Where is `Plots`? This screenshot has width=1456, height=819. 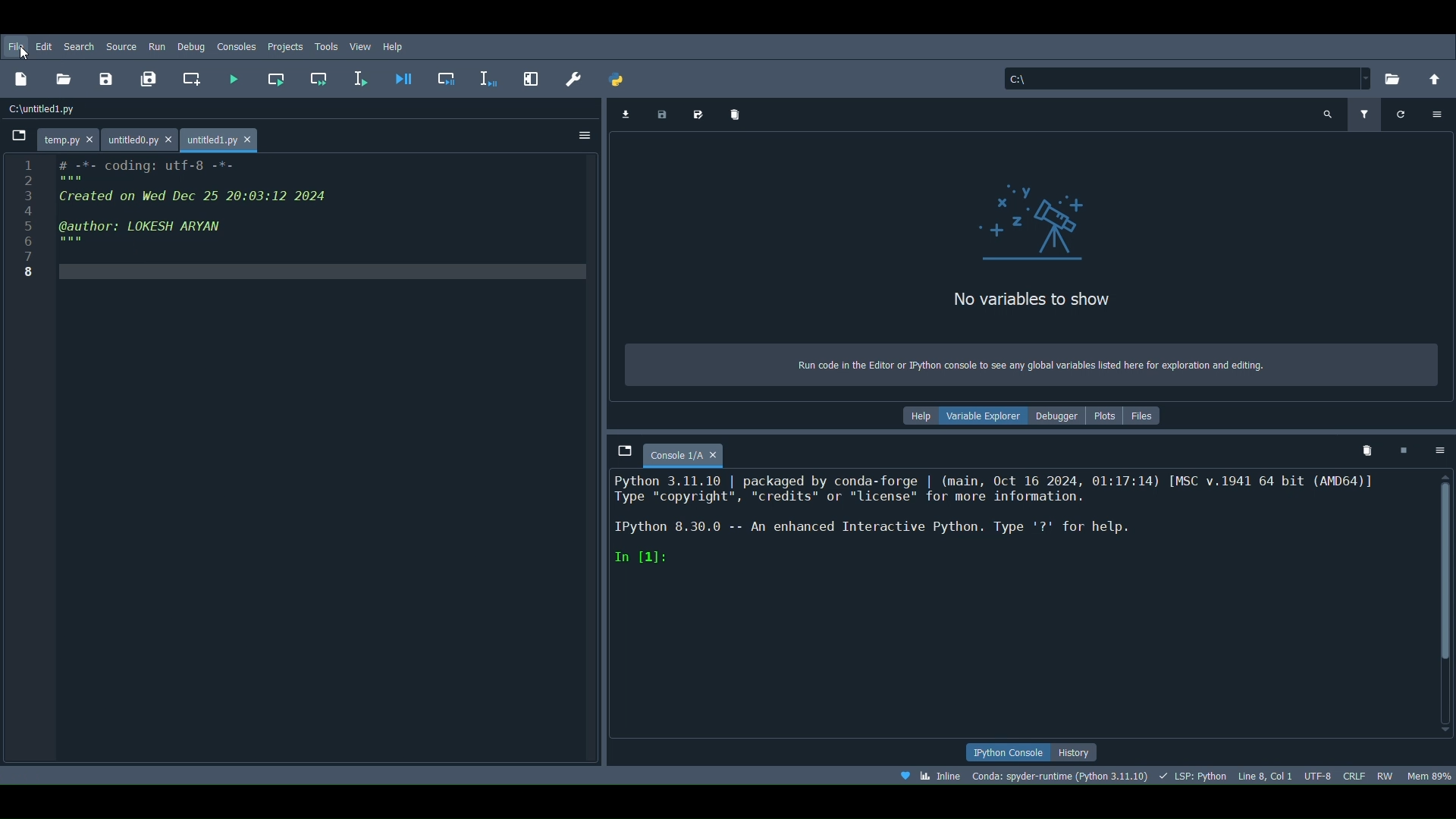
Plots is located at coordinates (1106, 416).